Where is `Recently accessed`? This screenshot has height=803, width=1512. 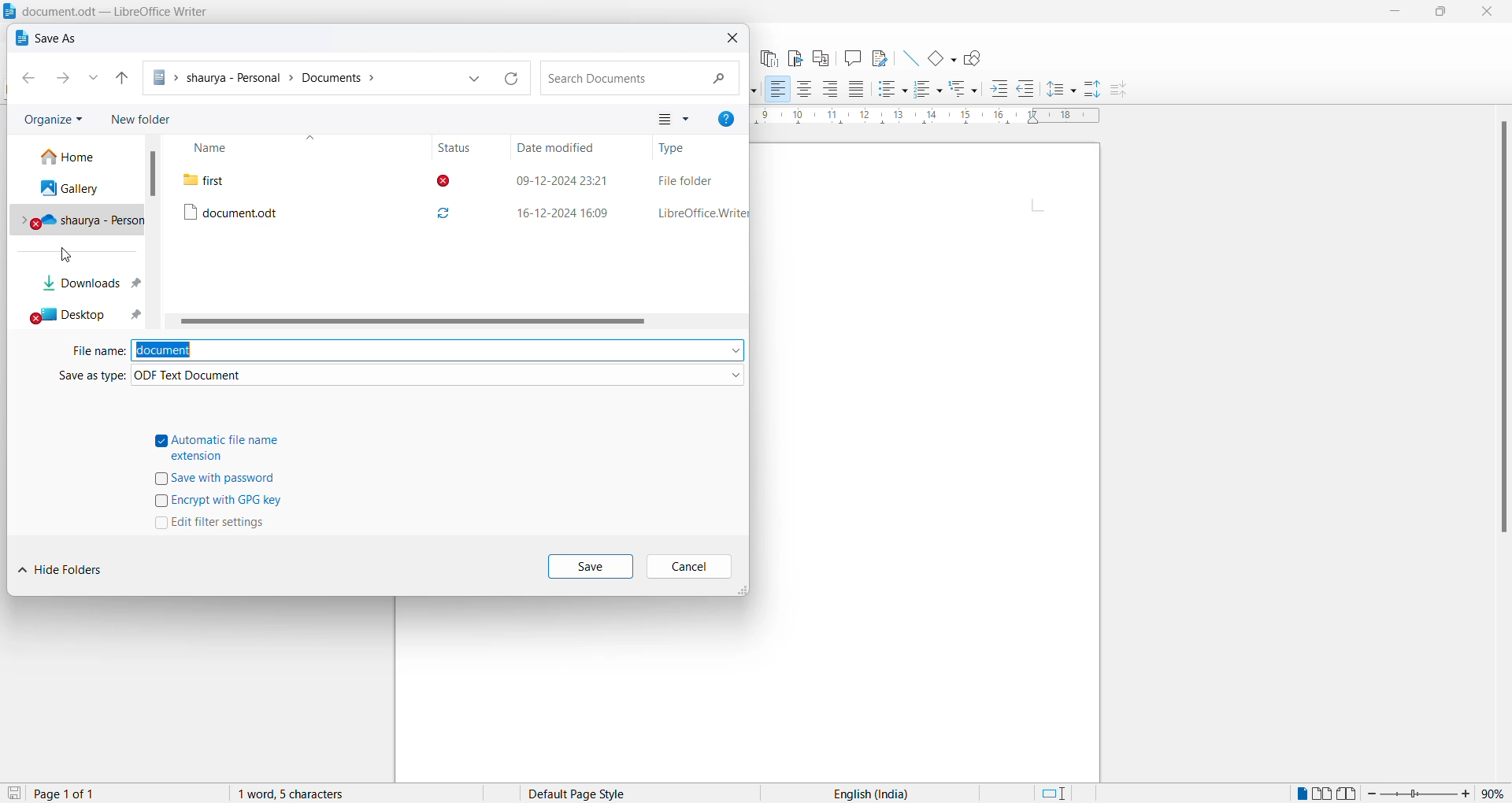 Recently accessed is located at coordinates (95, 80).